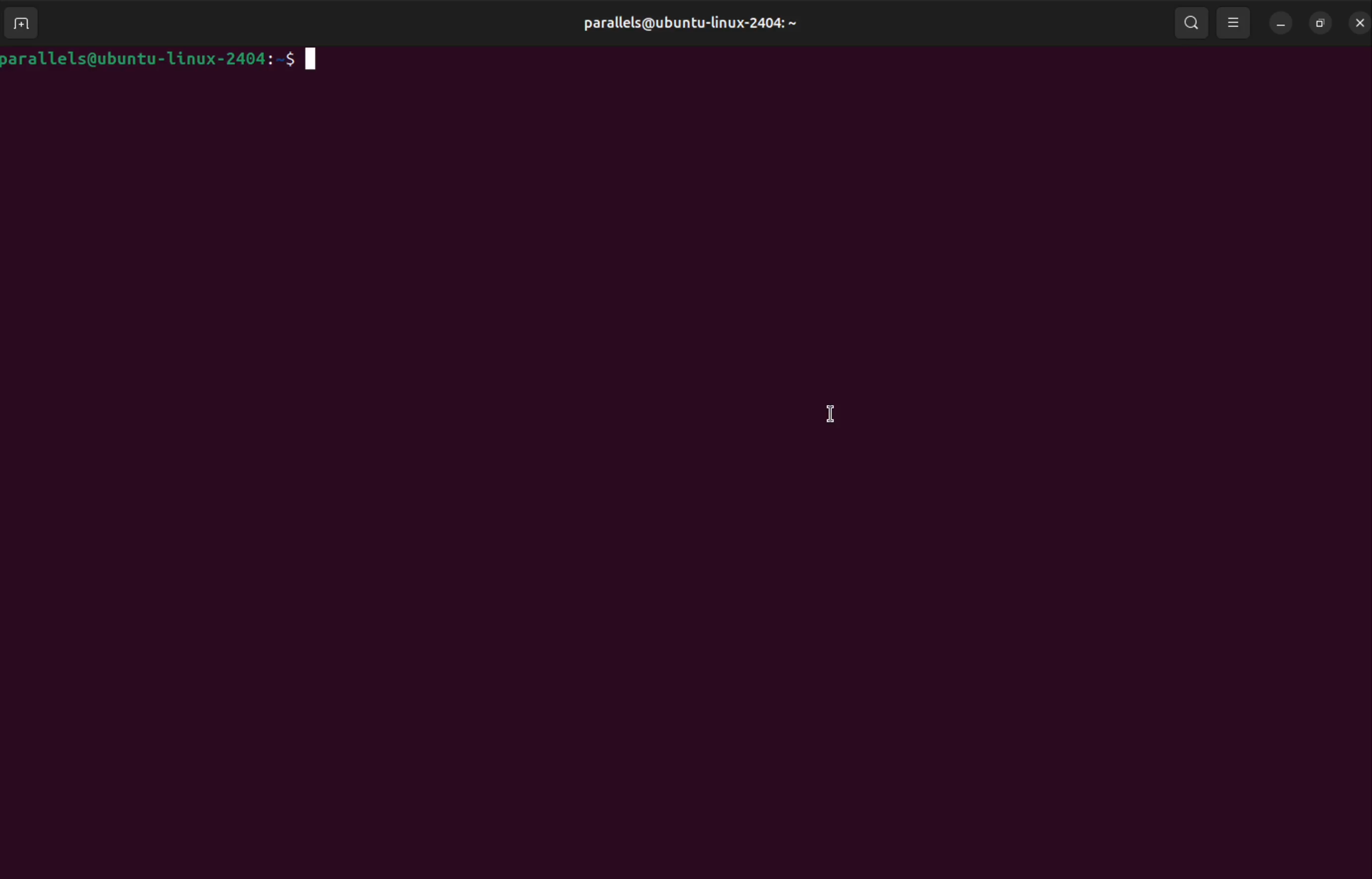 The image size is (1372, 879). What do you see at coordinates (1357, 23) in the screenshot?
I see `bash prompt` at bounding box center [1357, 23].